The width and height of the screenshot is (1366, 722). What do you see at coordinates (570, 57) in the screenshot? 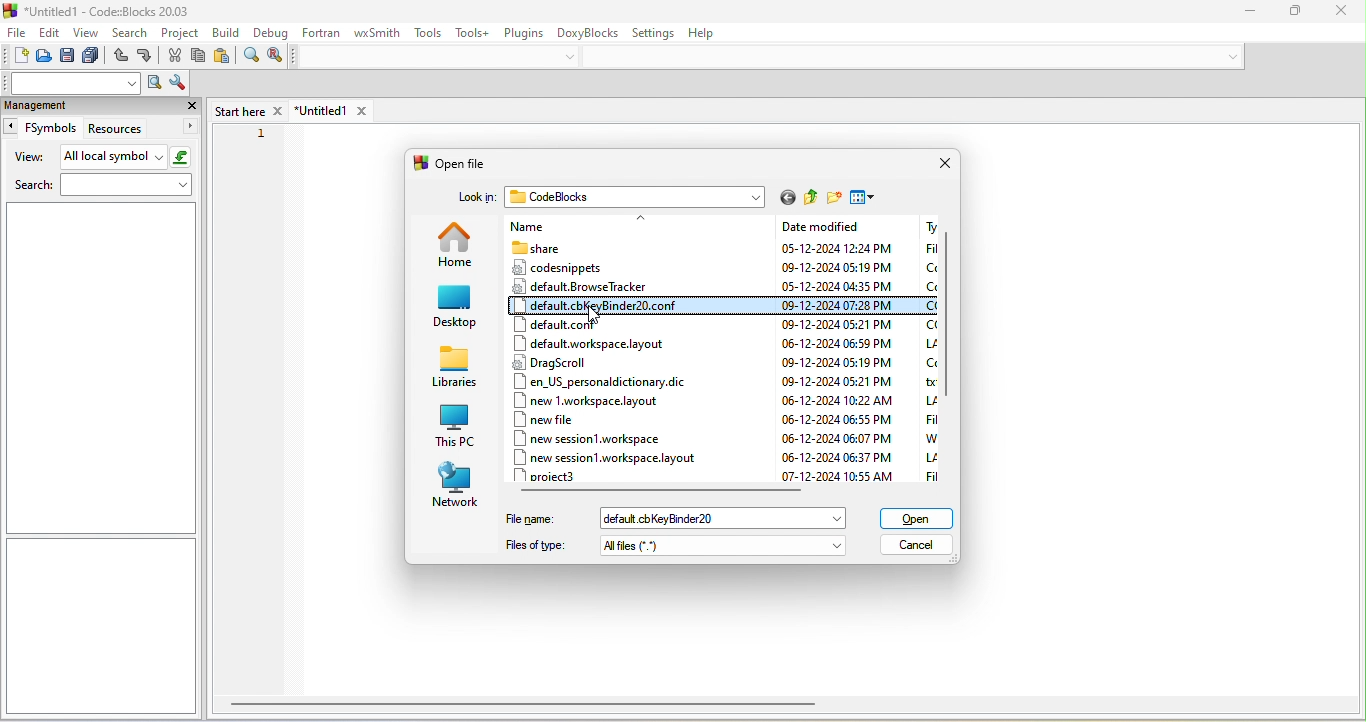
I see `dropdown` at bounding box center [570, 57].